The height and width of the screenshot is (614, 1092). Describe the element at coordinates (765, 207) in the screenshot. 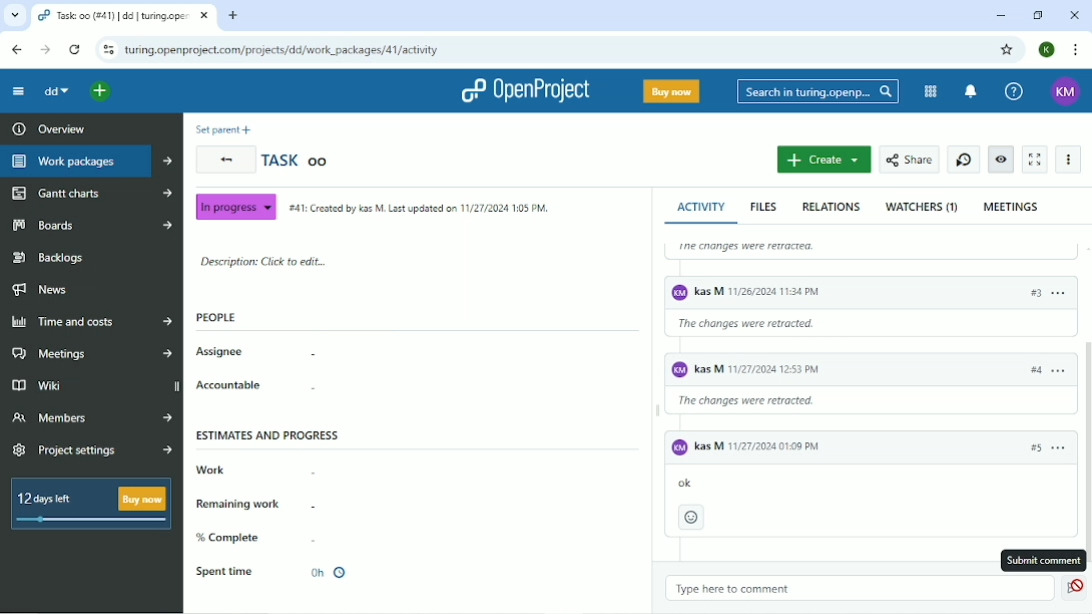

I see `Files` at that location.